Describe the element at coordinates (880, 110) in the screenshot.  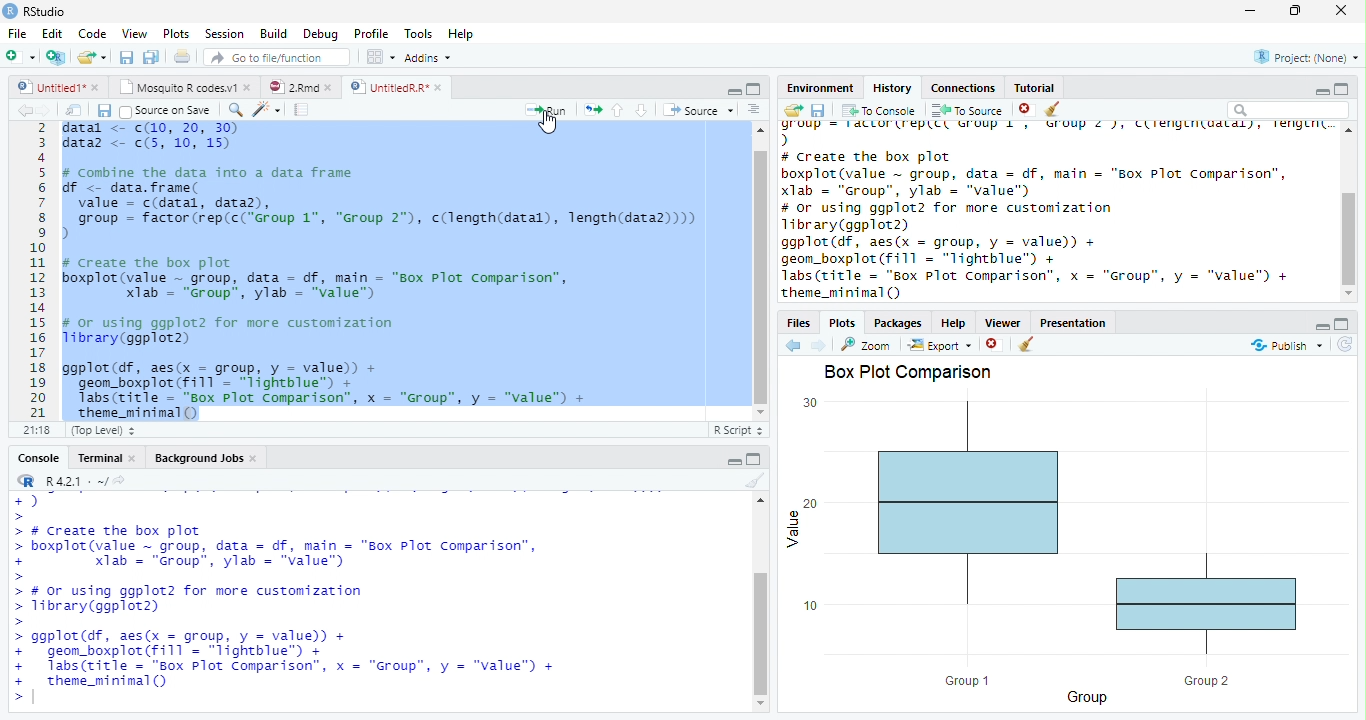
I see `To Console` at that location.